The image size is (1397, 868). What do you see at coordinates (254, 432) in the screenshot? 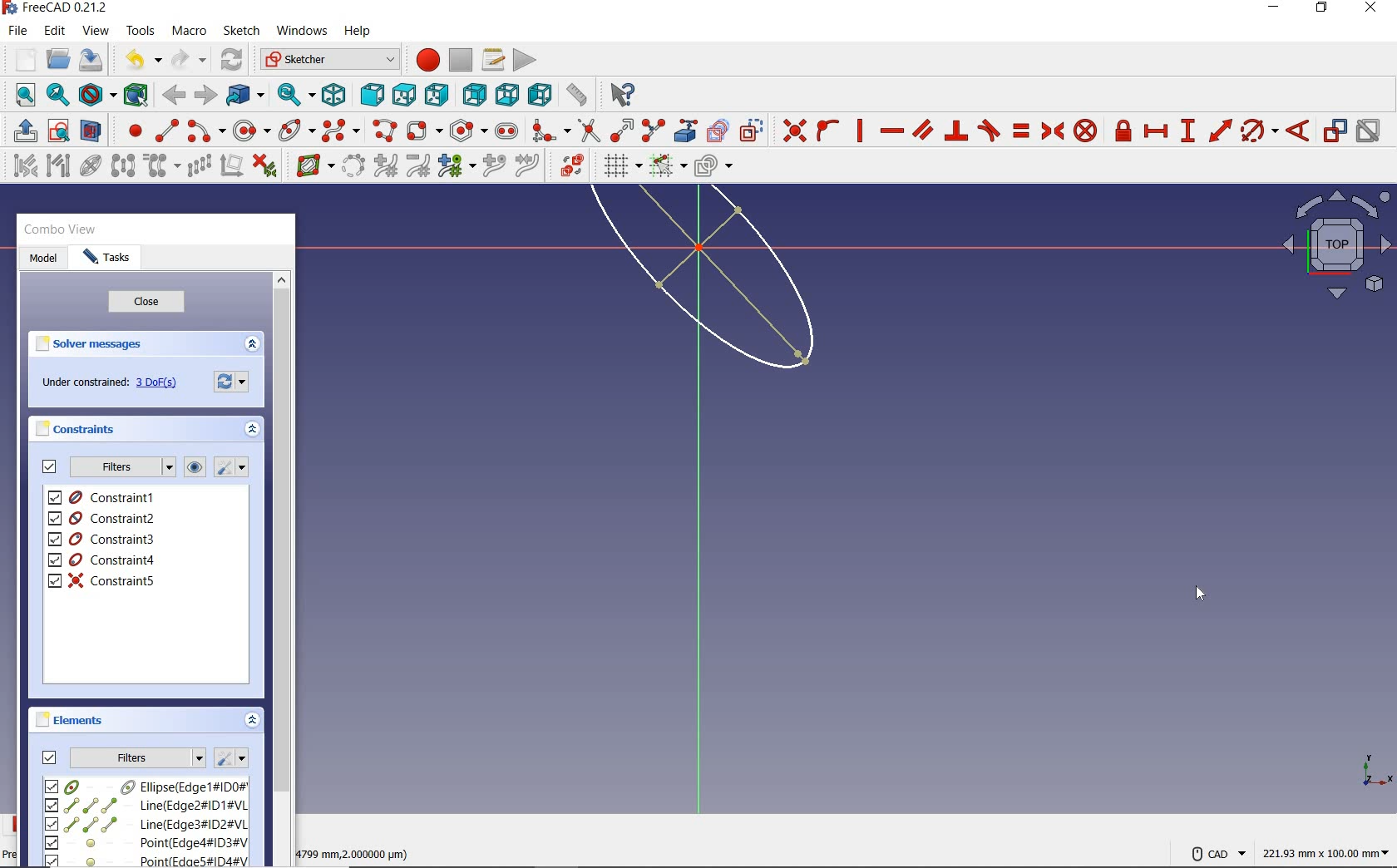
I see `collapse` at bounding box center [254, 432].